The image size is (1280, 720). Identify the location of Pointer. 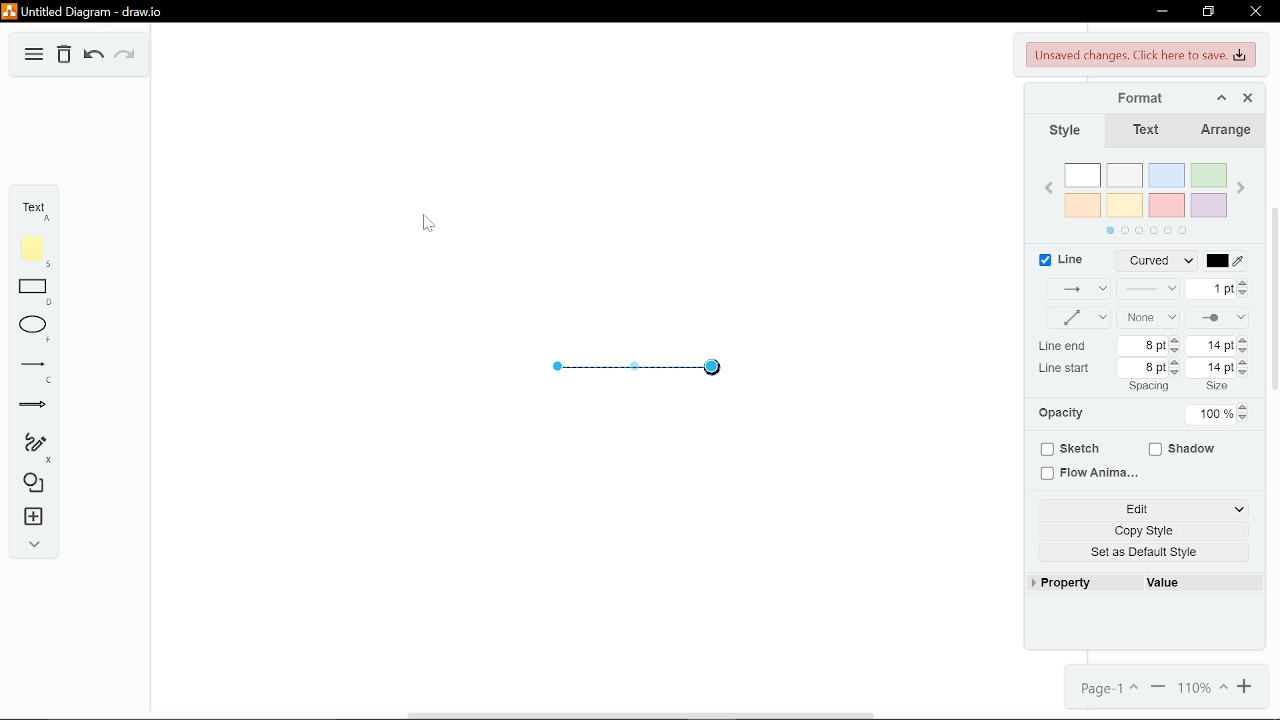
(429, 221).